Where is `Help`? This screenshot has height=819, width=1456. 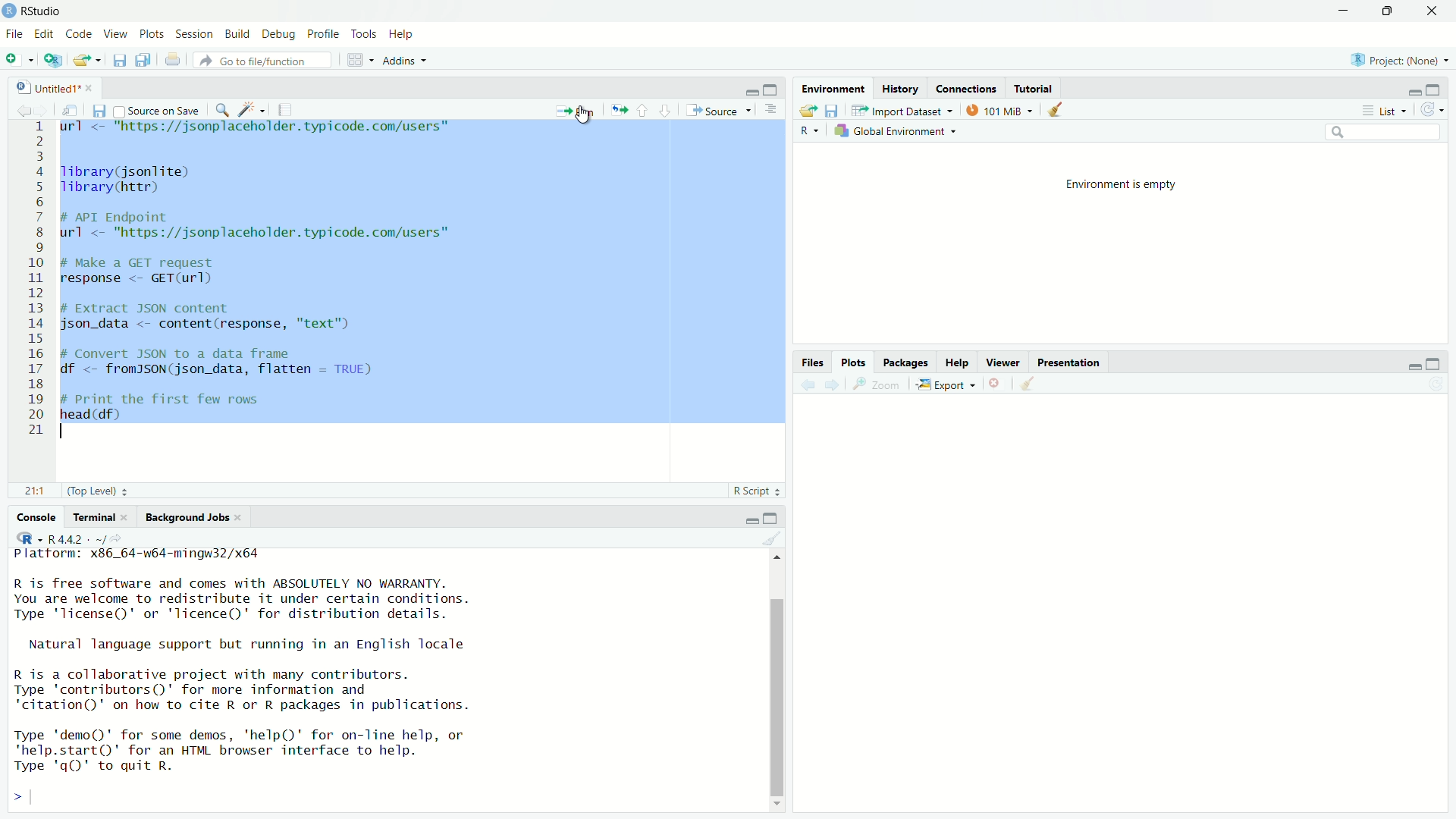 Help is located at coordinates (402, 35).